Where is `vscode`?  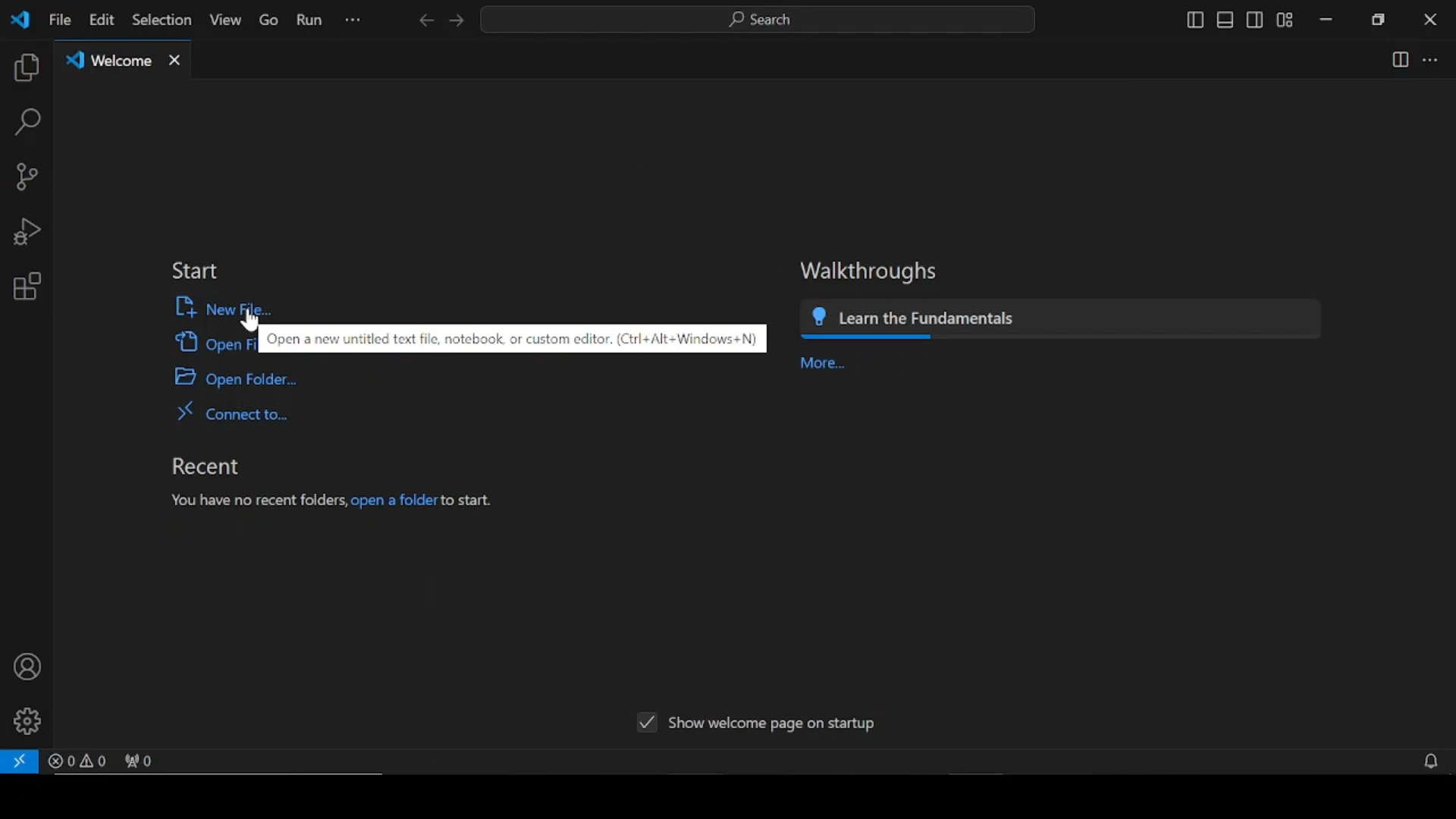 vscode is located at coordinates (19, 20).